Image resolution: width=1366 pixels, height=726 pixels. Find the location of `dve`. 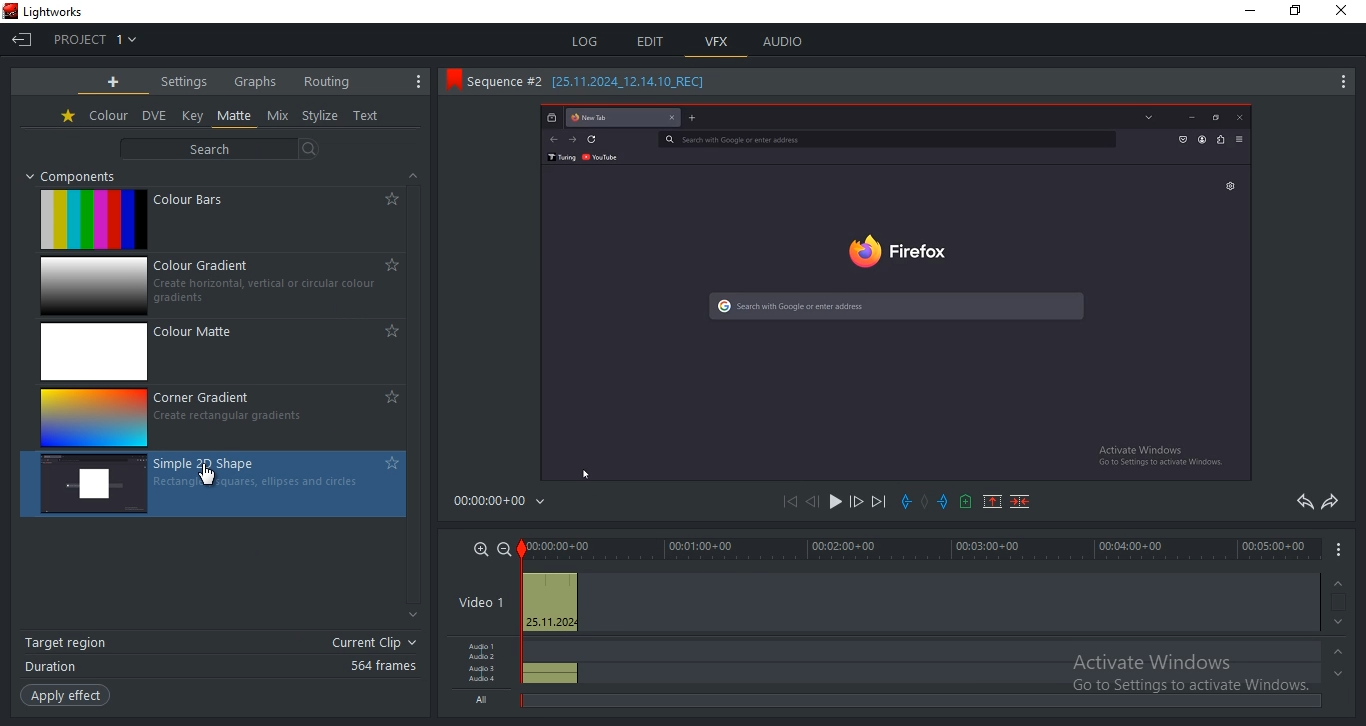

dve is located at coordinates (156, 116).